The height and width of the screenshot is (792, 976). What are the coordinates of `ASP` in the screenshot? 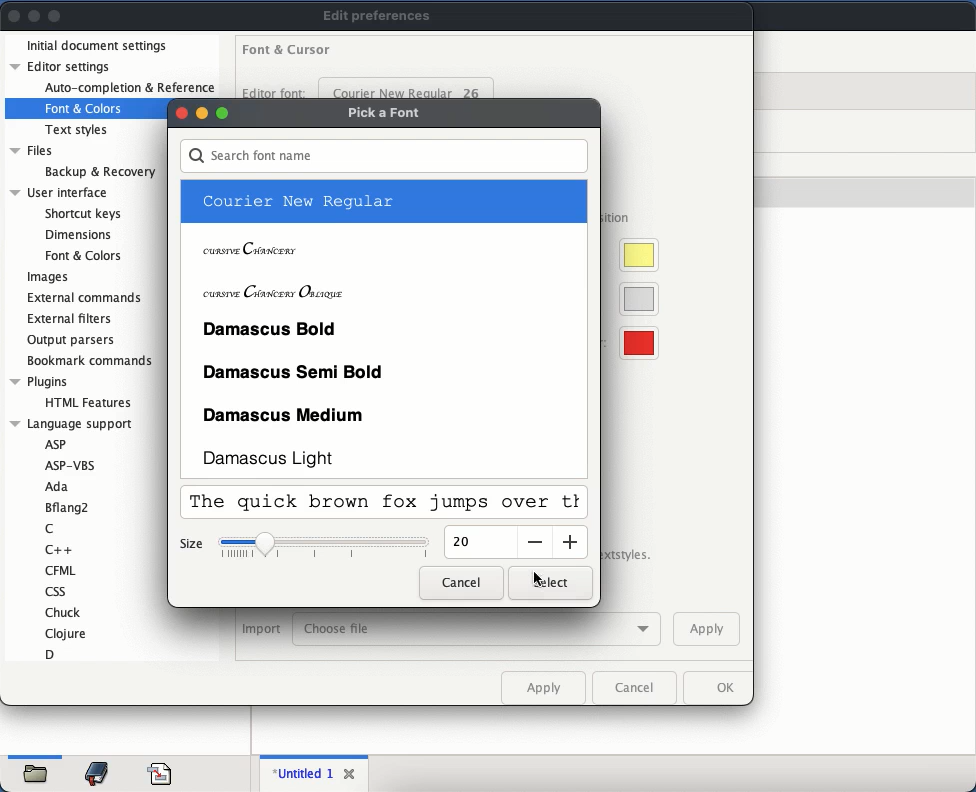 It's located at (58, 444).